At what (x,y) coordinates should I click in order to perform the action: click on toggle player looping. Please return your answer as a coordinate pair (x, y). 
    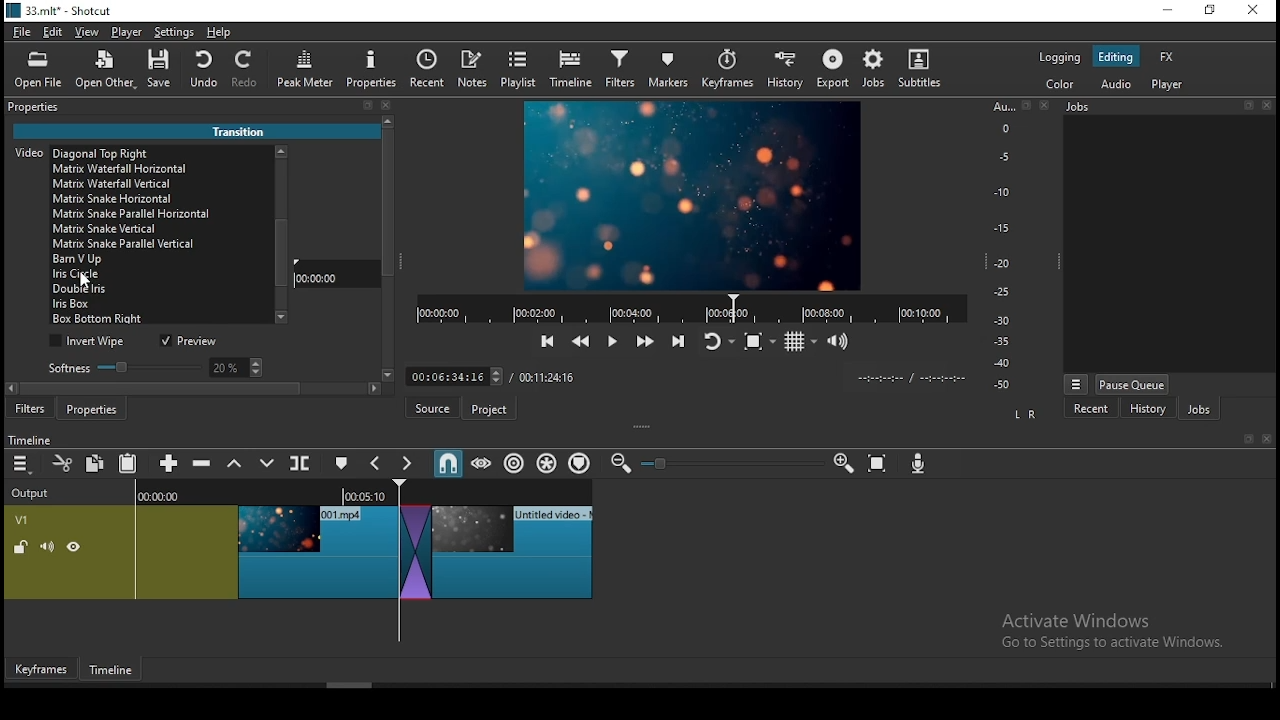
    Looking at the image, I should click on (716, 343).